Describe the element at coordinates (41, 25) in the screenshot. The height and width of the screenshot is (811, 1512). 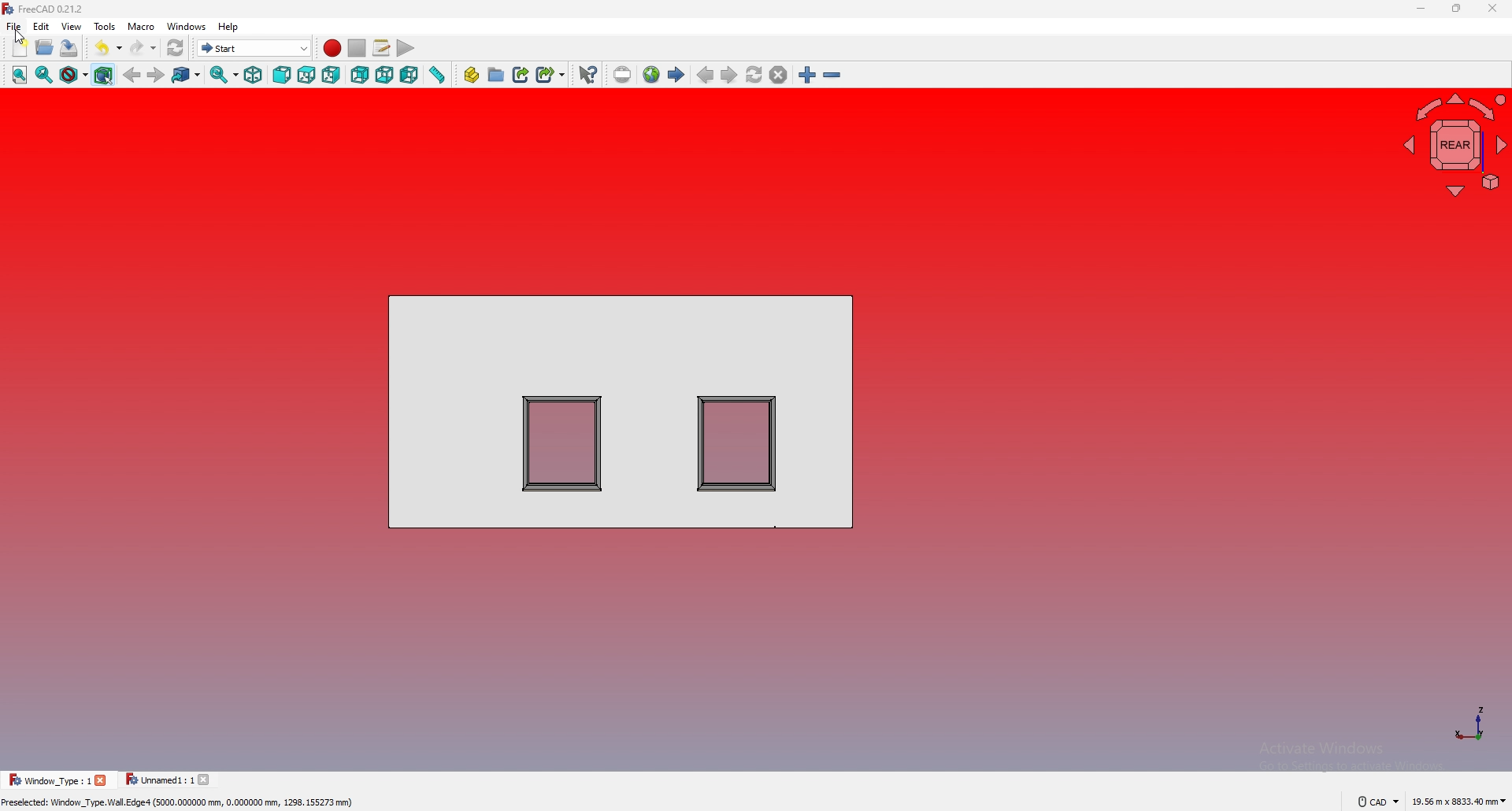
I see `edit` at that location.